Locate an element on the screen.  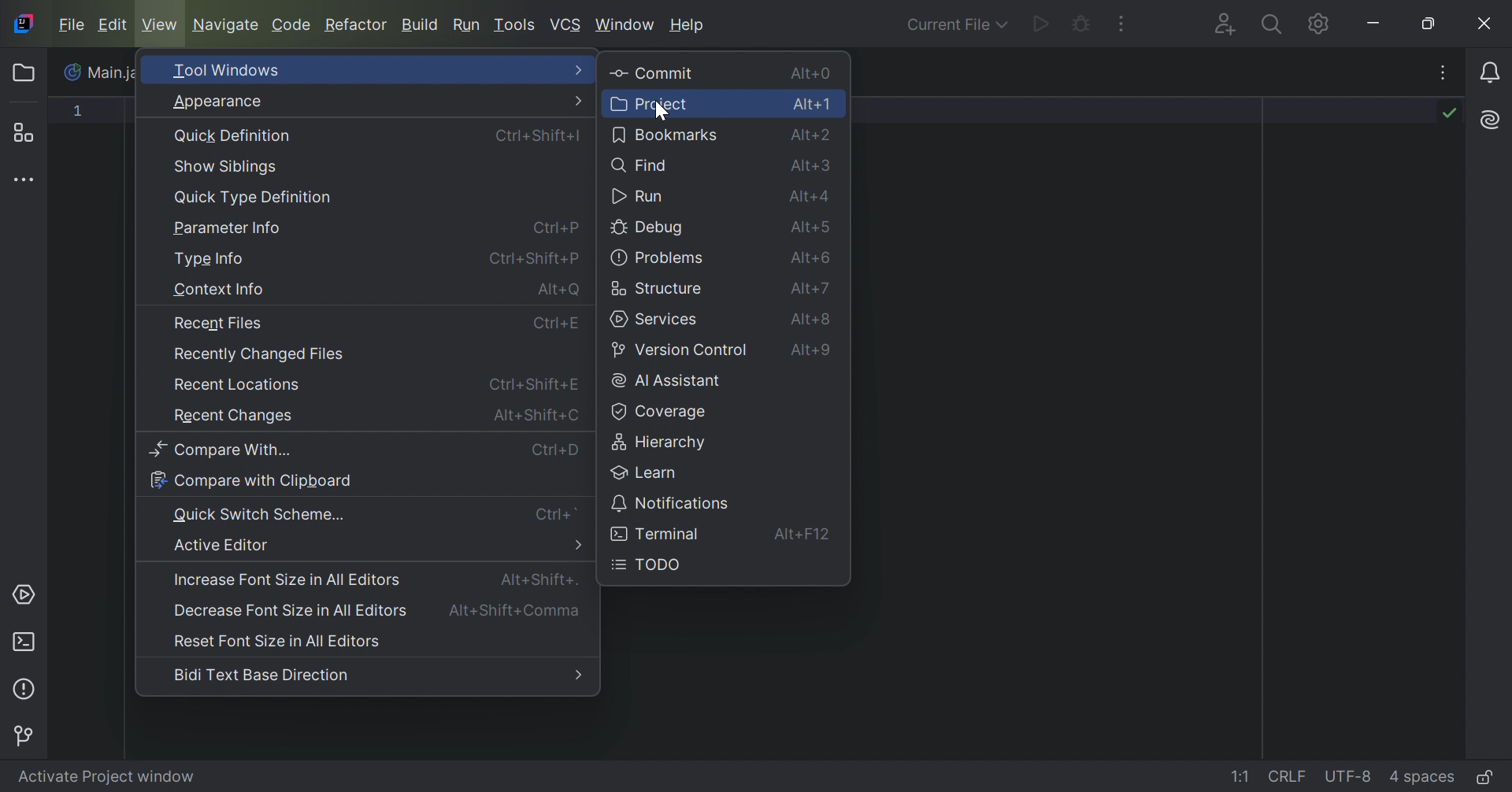
Run is located at coordinates (639, 197).